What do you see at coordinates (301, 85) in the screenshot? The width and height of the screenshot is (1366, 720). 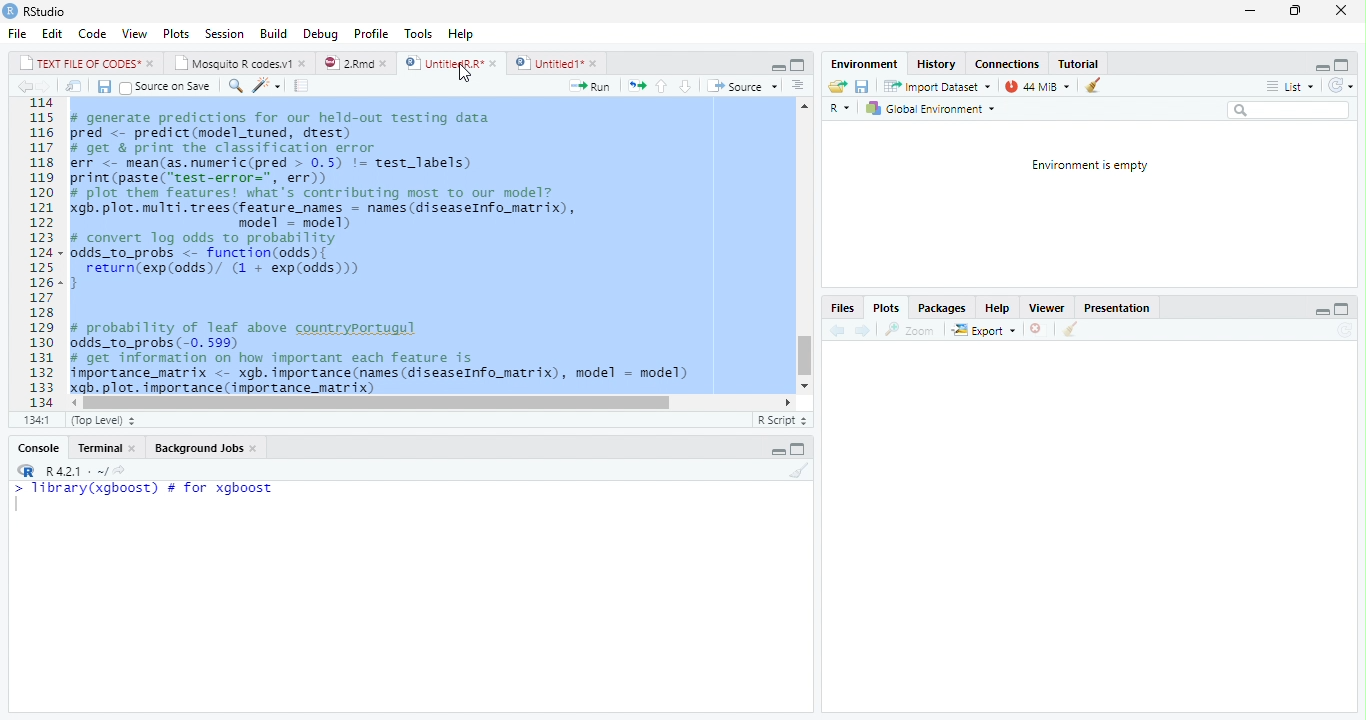 I see `Compile Report` at bounding box center [301, 85].